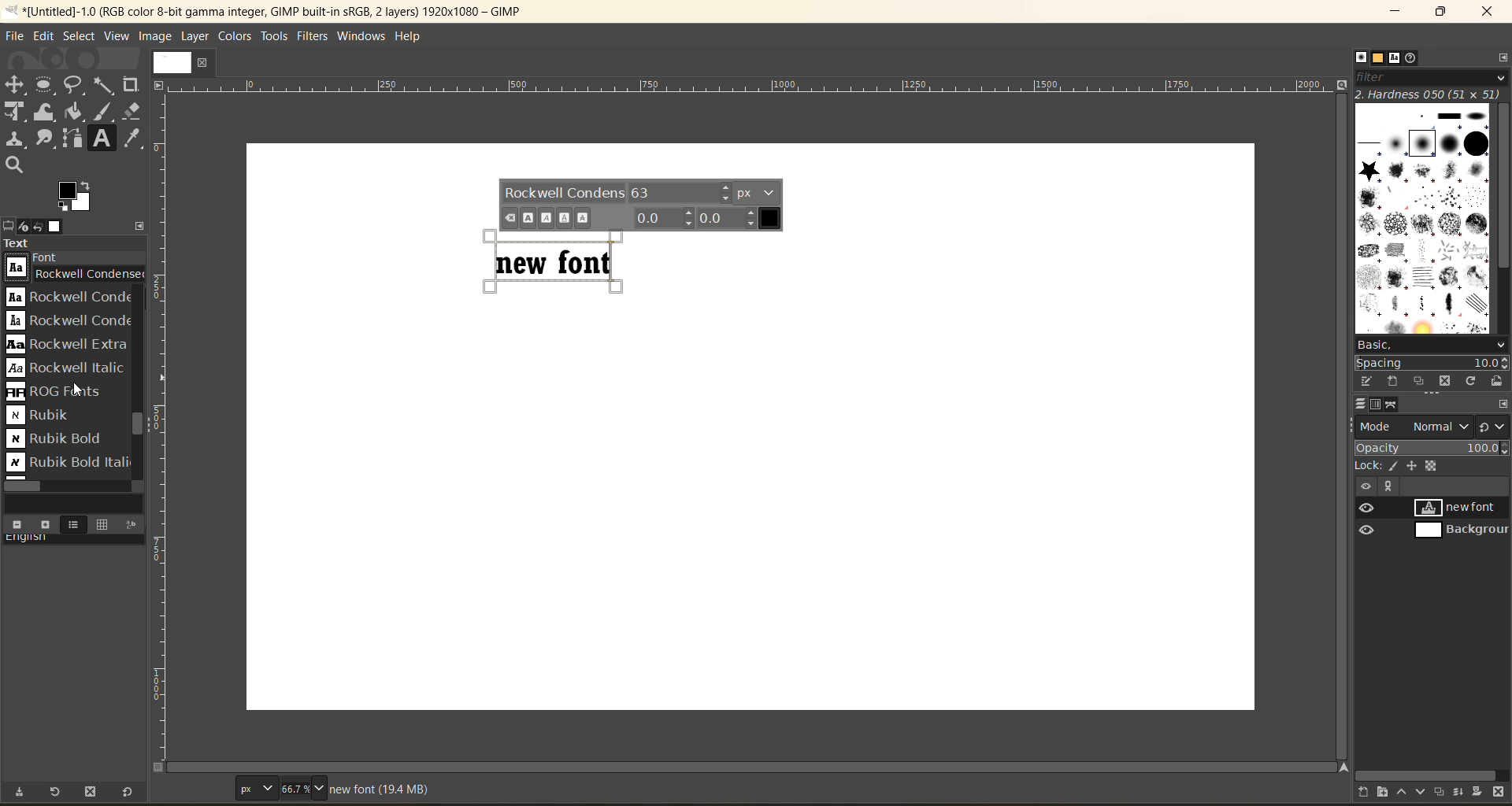 The image size is (1512, 806). What do you see at coordinates (1432, 346) in the screenshot?
I see `basic` at bounding box center [1432, 346].